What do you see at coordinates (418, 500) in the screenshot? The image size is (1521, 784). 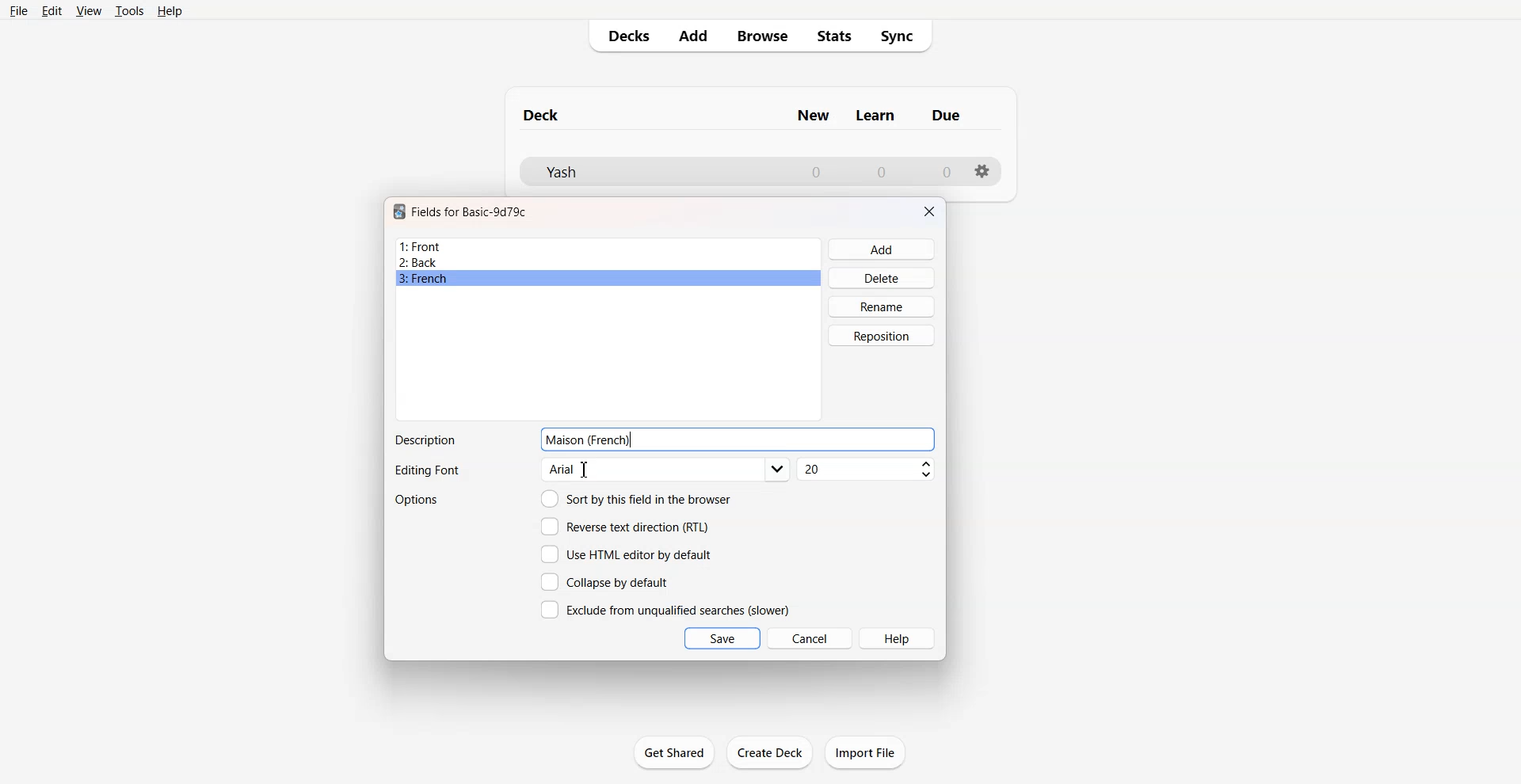 I see `Options` at bounding box center [418, 500].